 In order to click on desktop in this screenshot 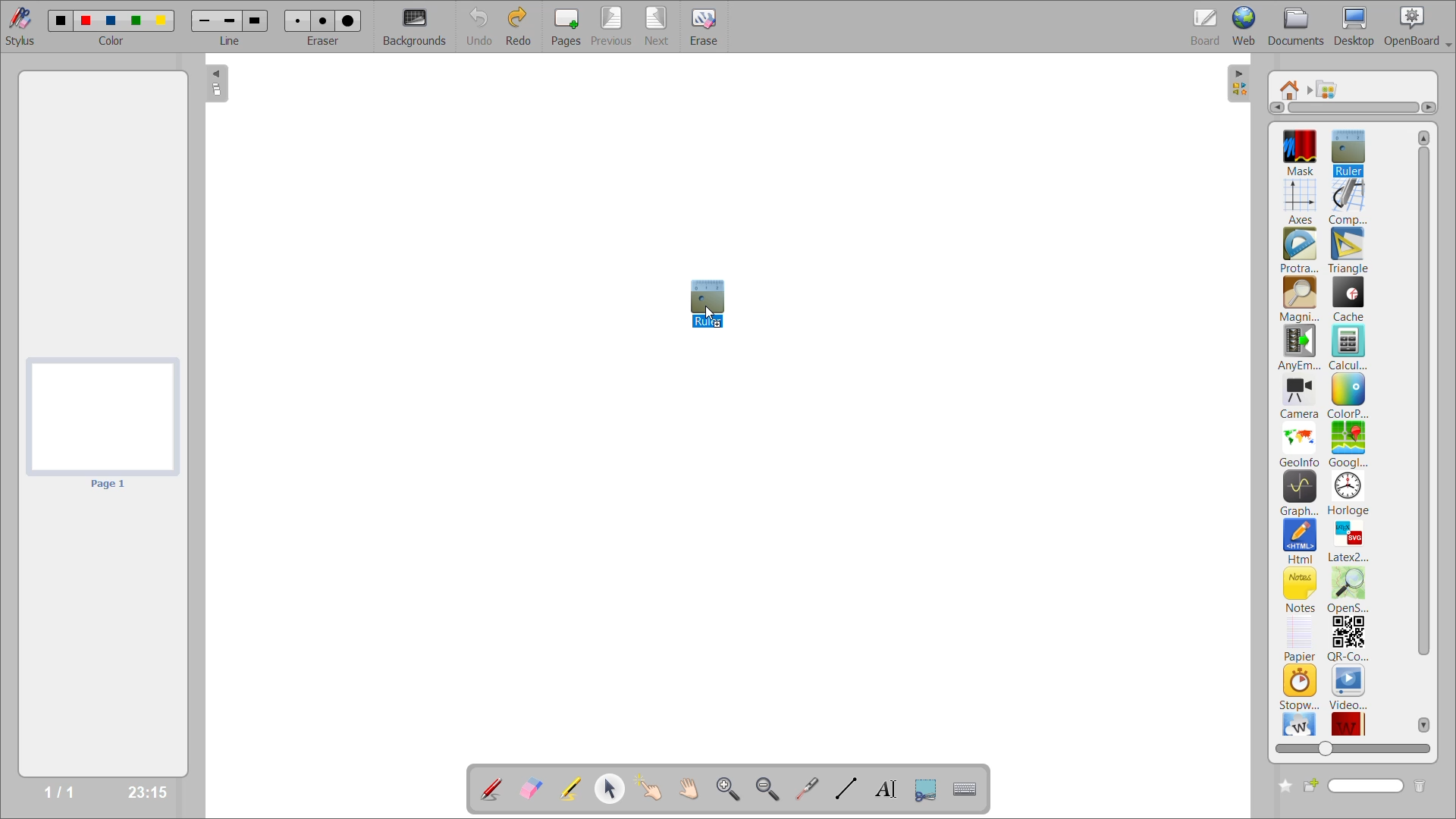, I will do `click(1355, 26)`.